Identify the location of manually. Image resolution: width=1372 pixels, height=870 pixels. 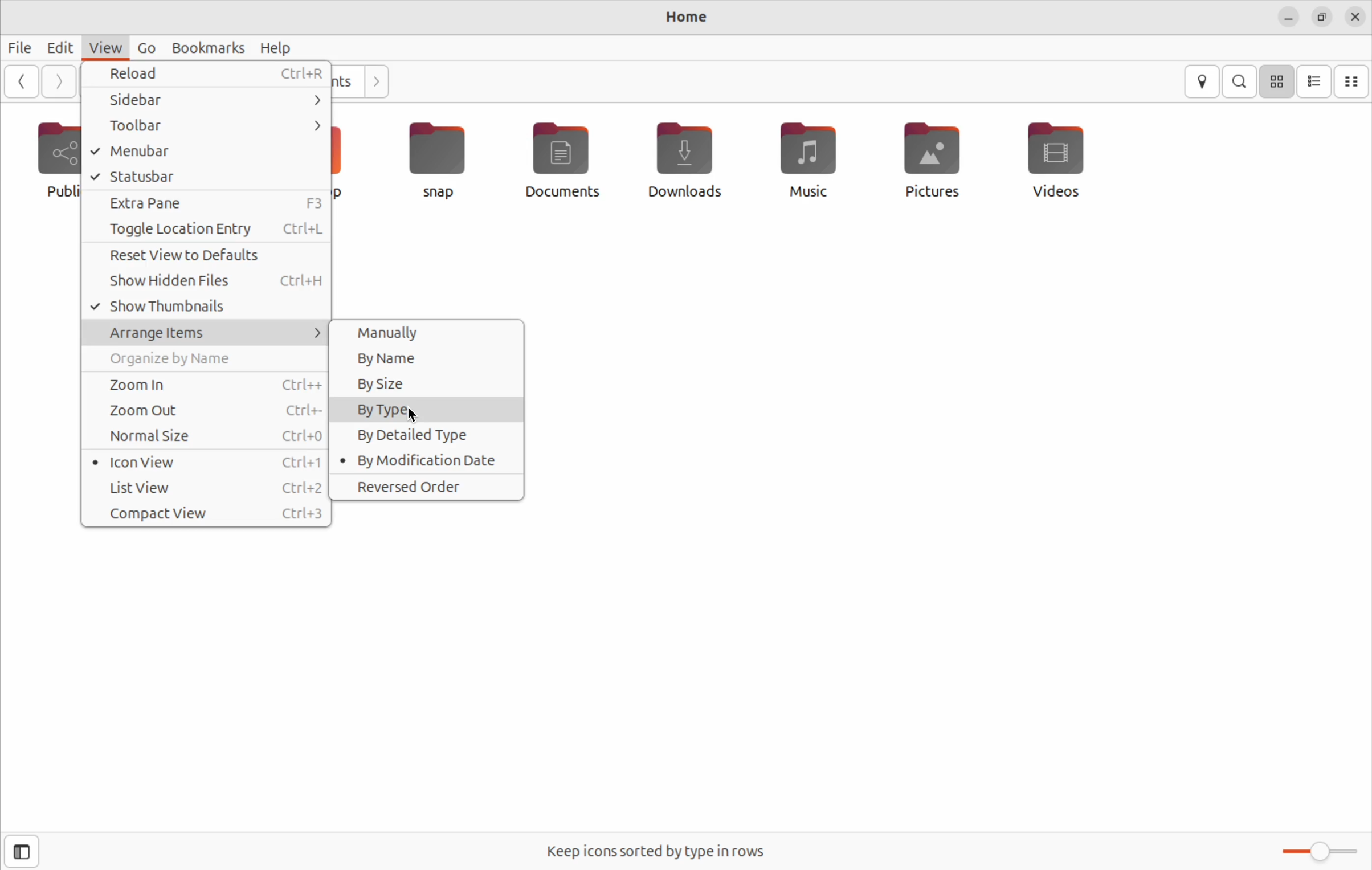
(430, 333).